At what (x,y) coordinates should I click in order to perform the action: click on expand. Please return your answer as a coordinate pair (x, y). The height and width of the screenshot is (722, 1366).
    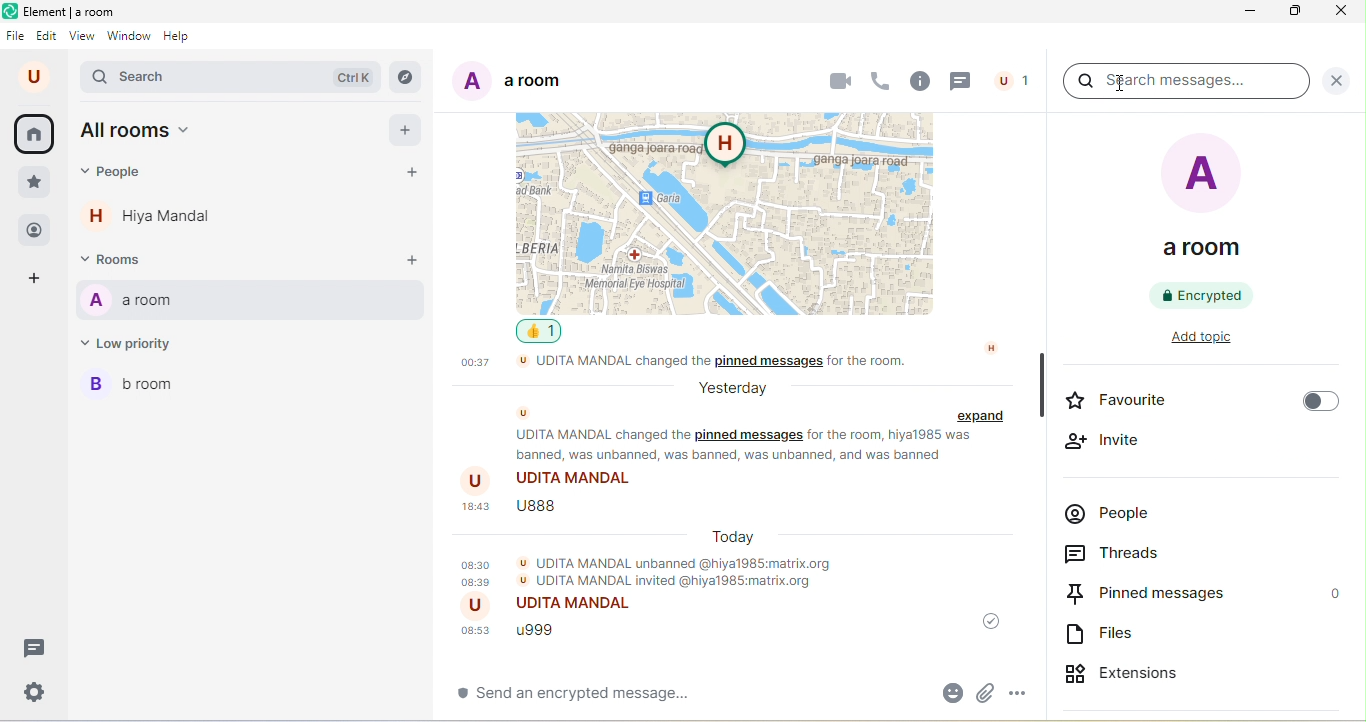
    Looking at the image, I should click on (984, 417).